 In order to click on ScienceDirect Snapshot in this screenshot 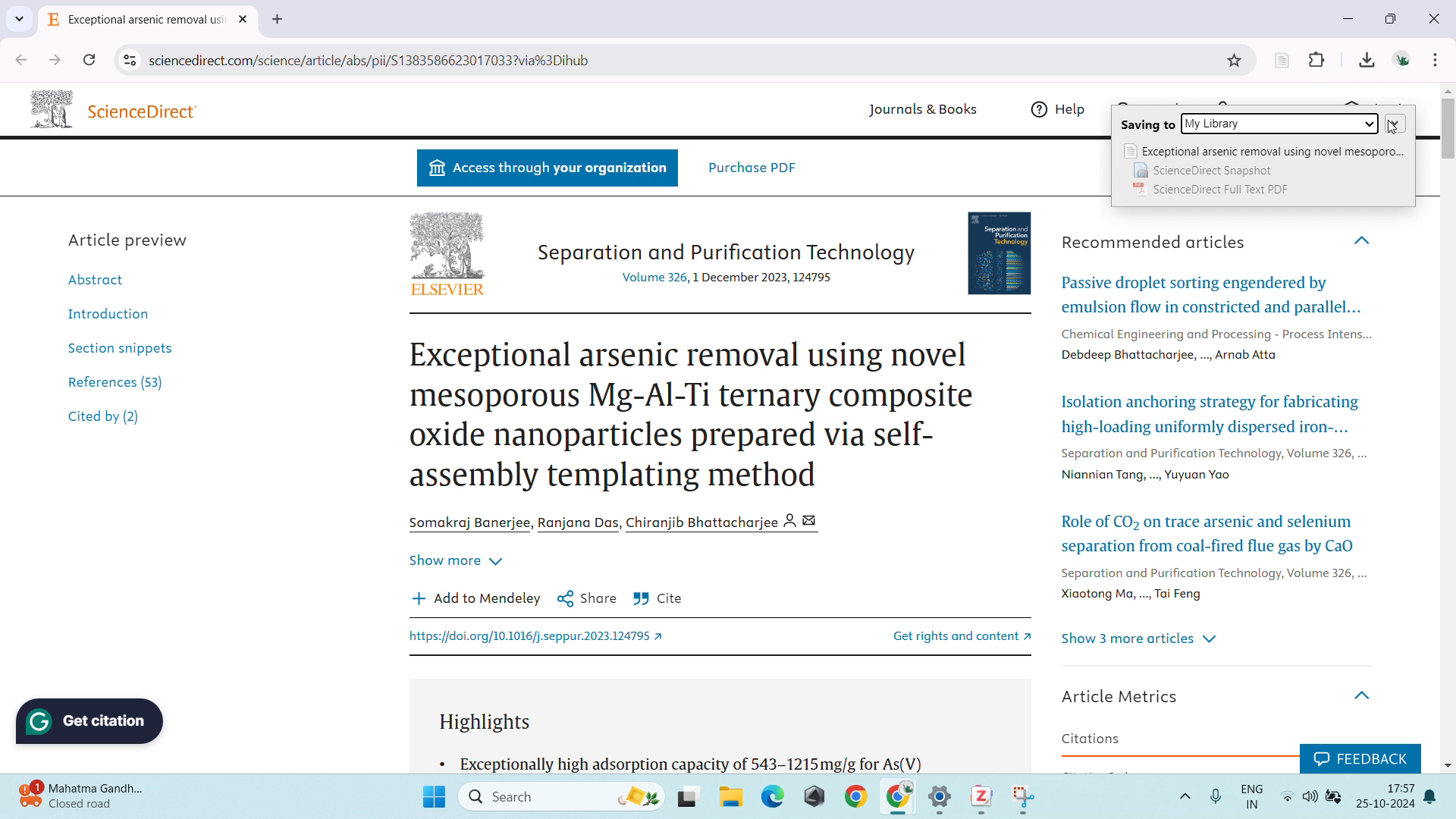, I will do `click(1204, 170)`.